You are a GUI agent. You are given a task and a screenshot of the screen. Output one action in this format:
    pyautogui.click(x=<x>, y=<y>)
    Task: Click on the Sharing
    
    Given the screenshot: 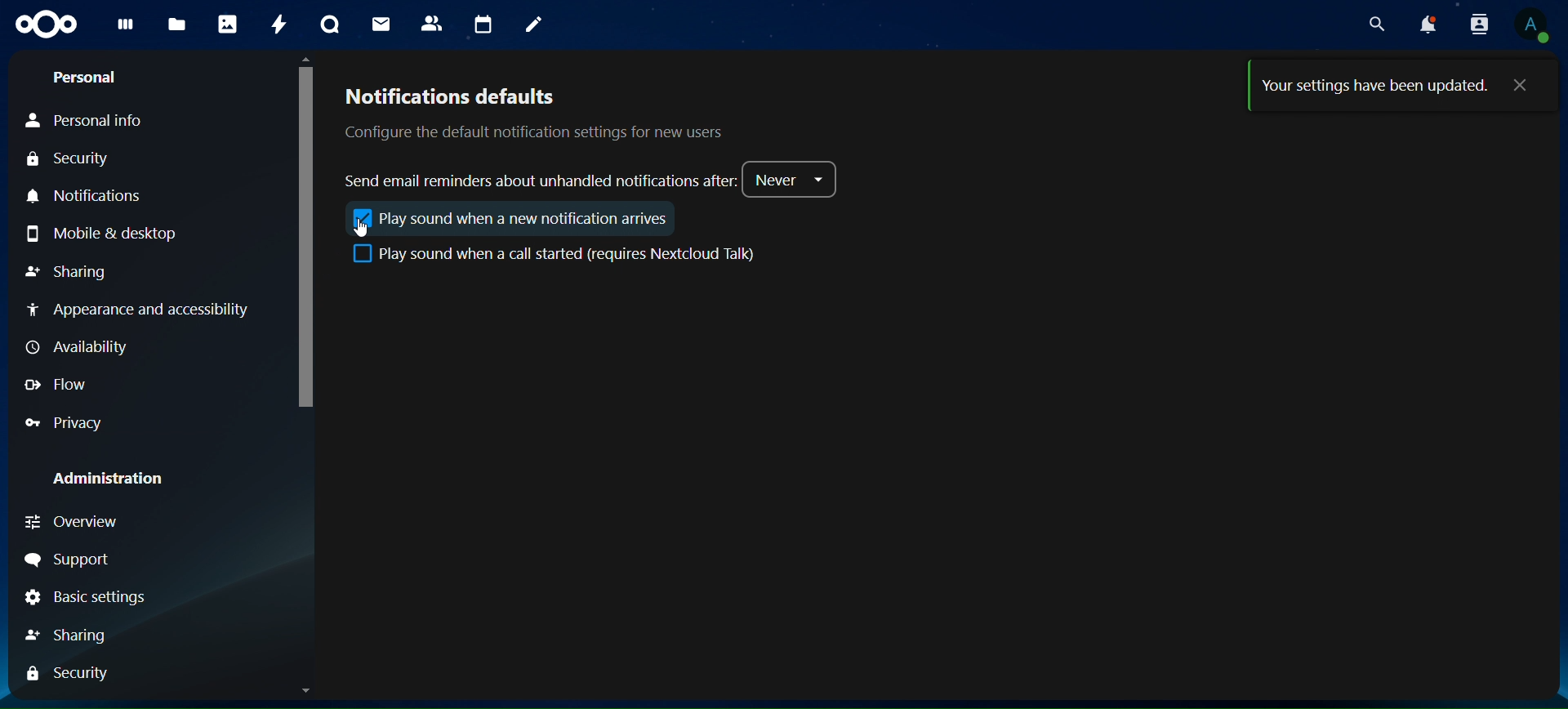 What is the action you would take?
    pyautogui.click(x=65, y=273)
    